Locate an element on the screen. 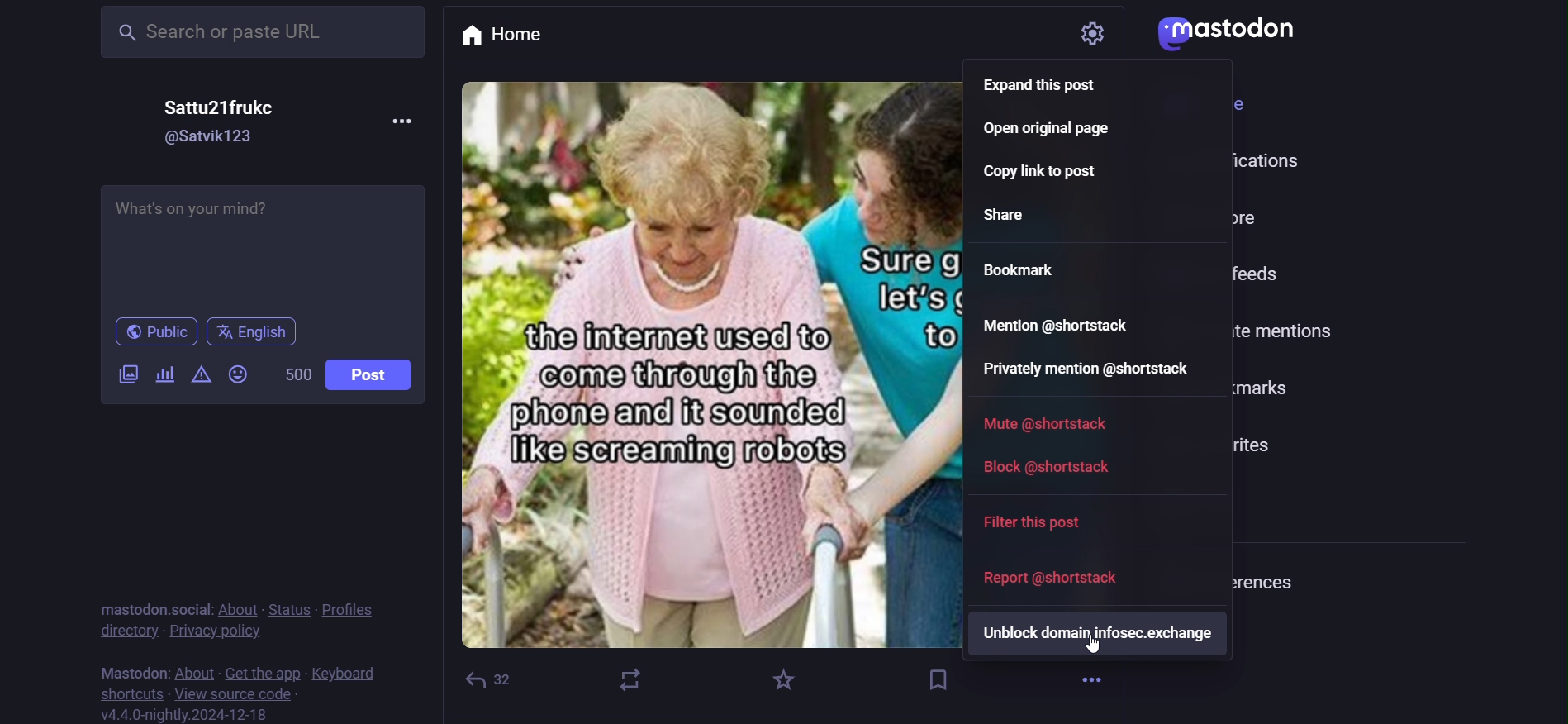  profile is located at coordinates (356, 607).